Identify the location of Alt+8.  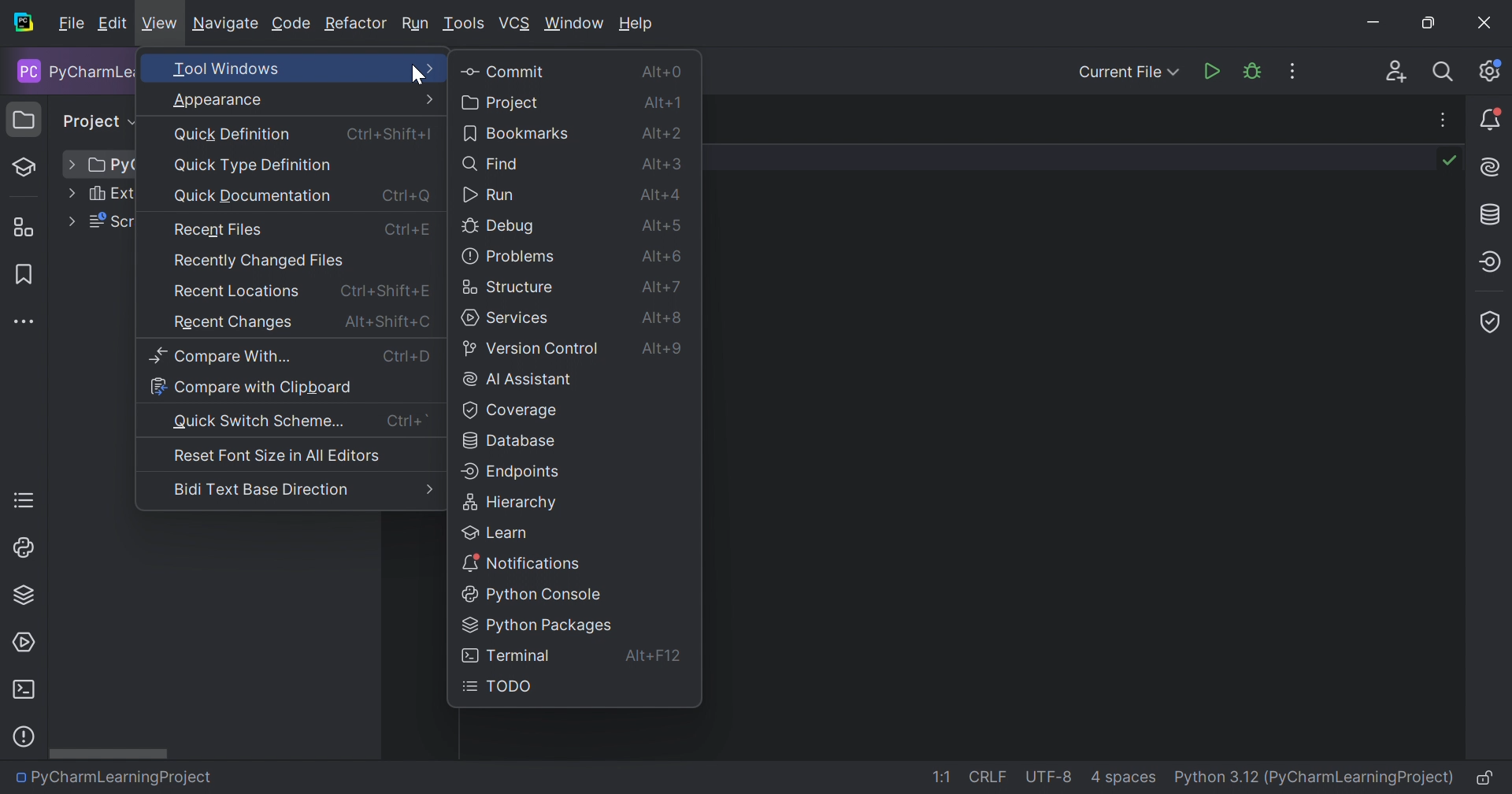
(664, 314).